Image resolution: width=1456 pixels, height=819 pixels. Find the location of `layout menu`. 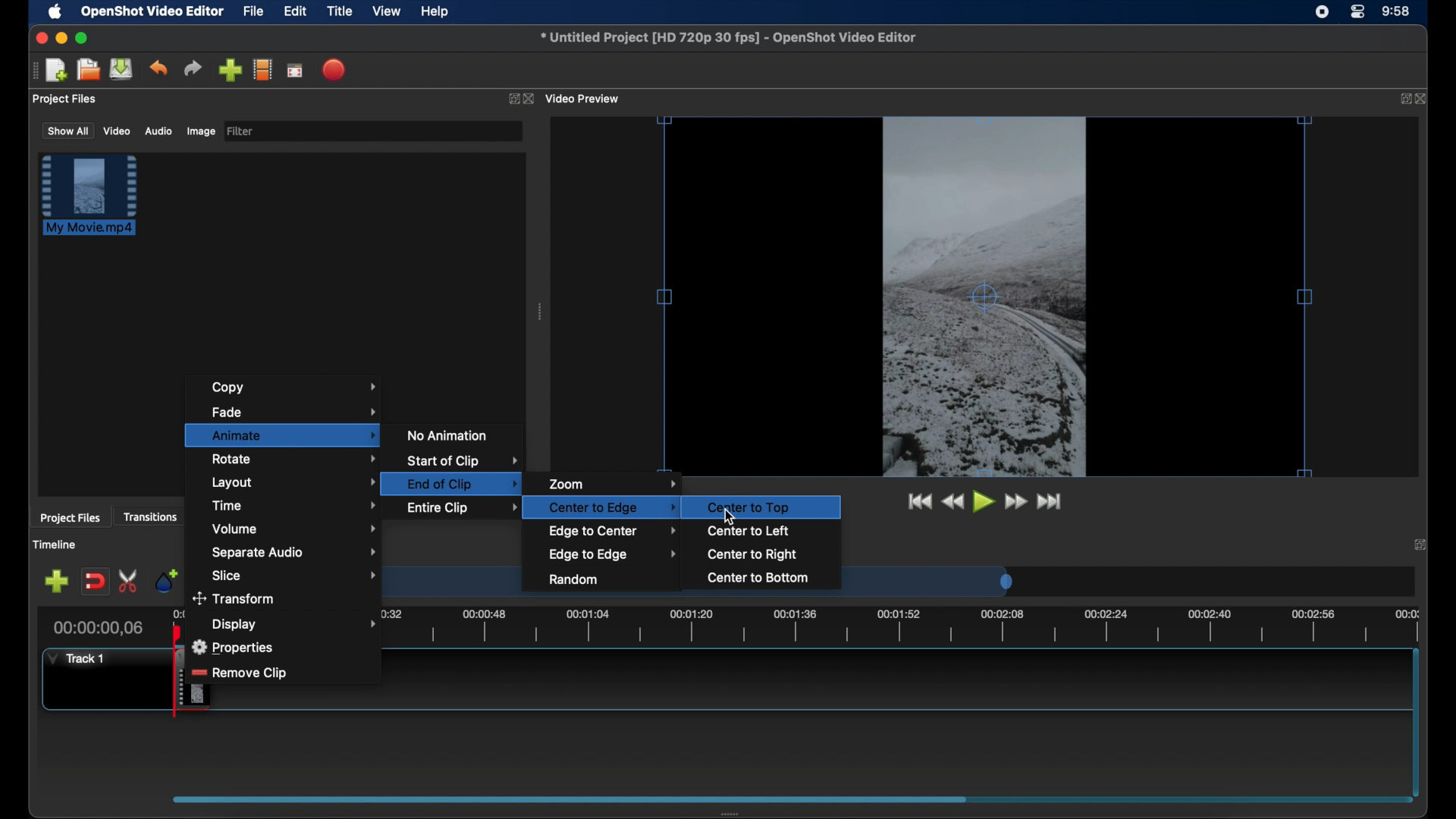

layout menu is located at coordinates (294, 483).